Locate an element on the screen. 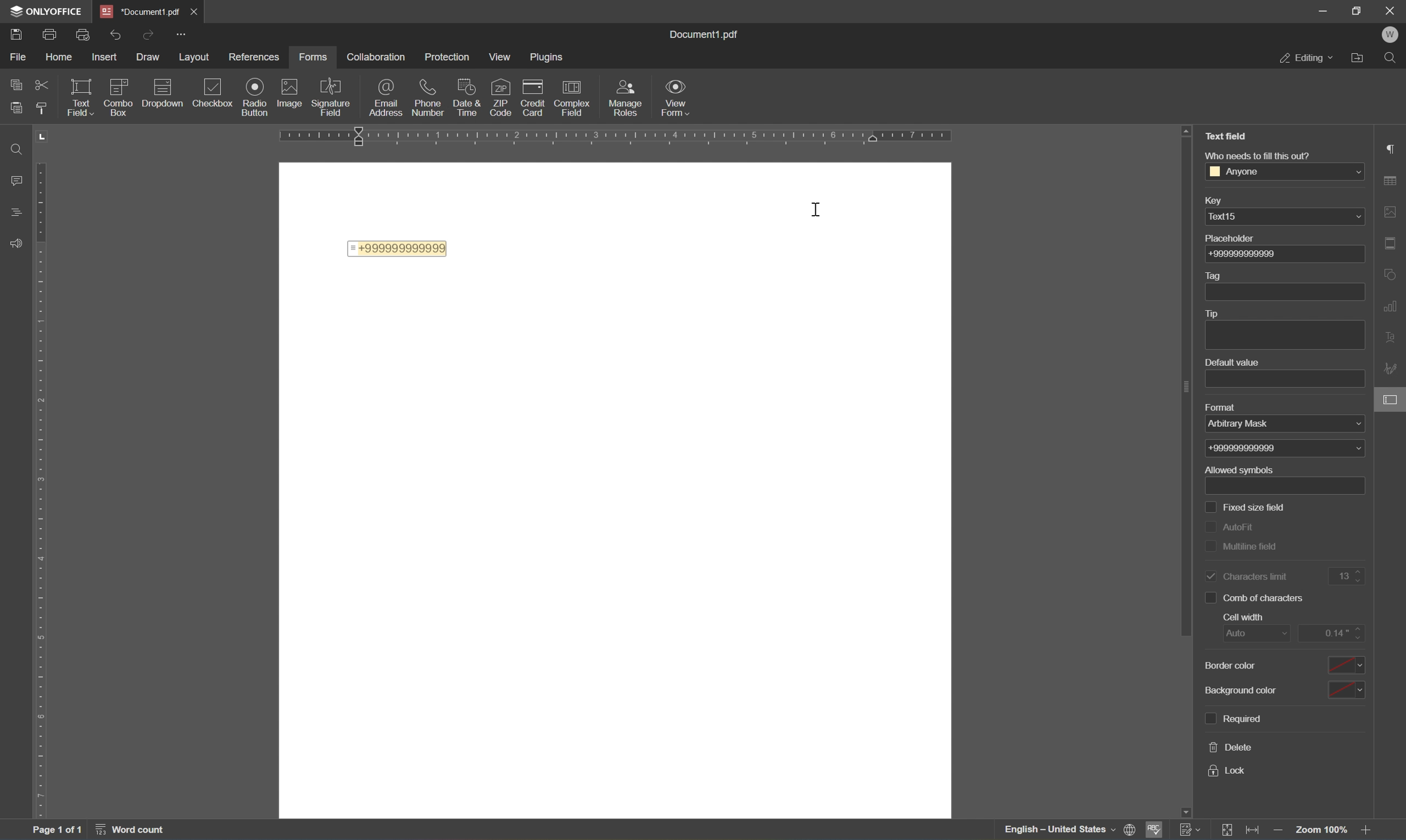 This screenshot has width=1406, height=840. find is located at coordinates (11, 150).